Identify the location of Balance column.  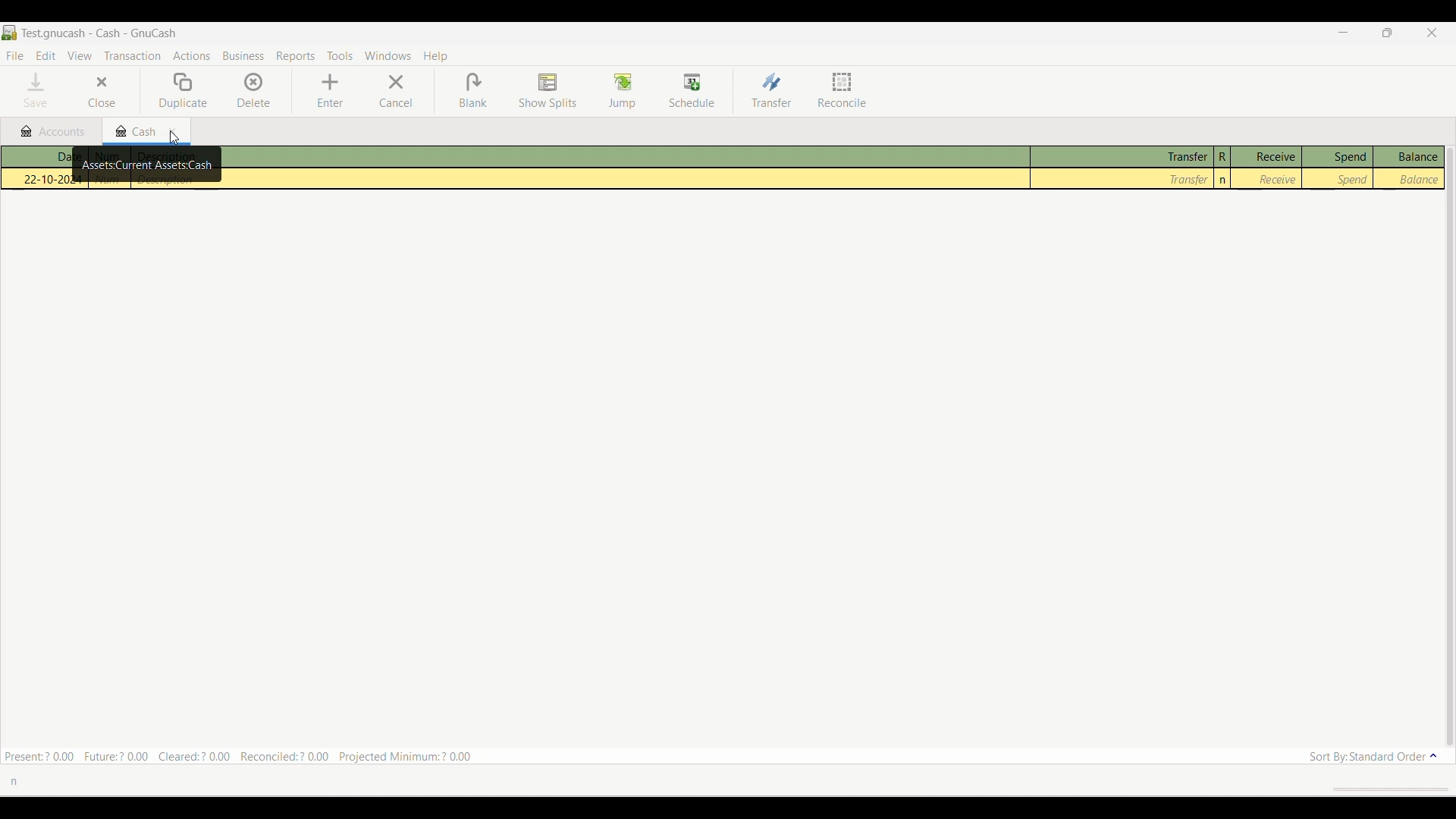
(1407, 157).